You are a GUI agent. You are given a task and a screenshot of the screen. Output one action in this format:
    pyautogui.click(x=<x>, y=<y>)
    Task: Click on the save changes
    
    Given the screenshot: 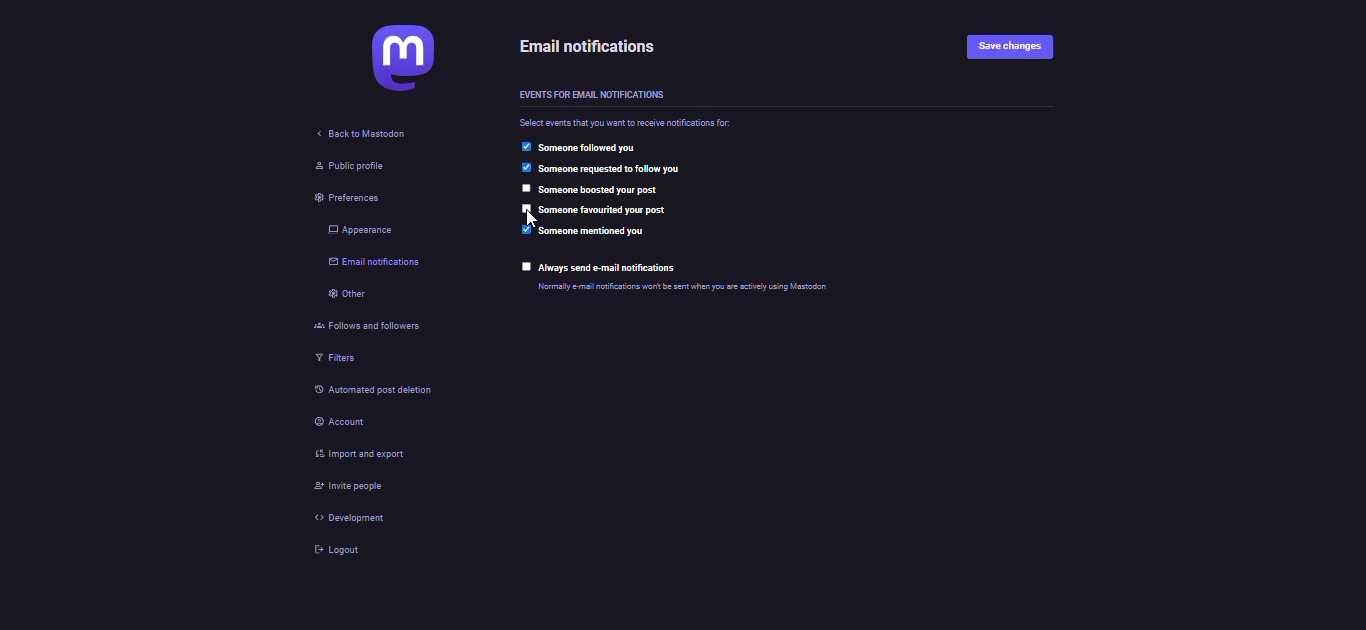 What is the action you would take?
    pyautogui.click(x=1009, y=48)
    